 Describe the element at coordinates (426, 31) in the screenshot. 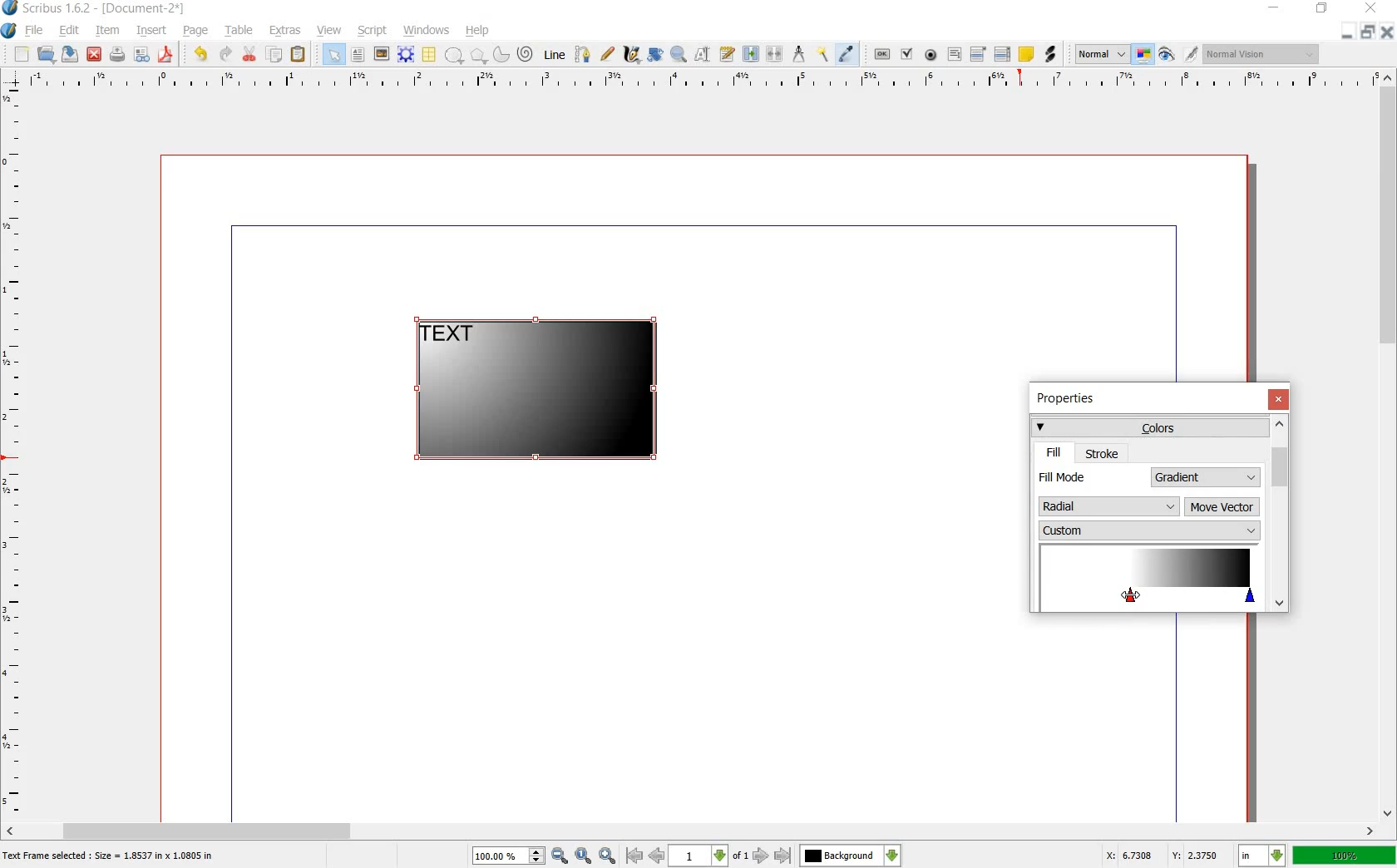

I see `windows` at that location.